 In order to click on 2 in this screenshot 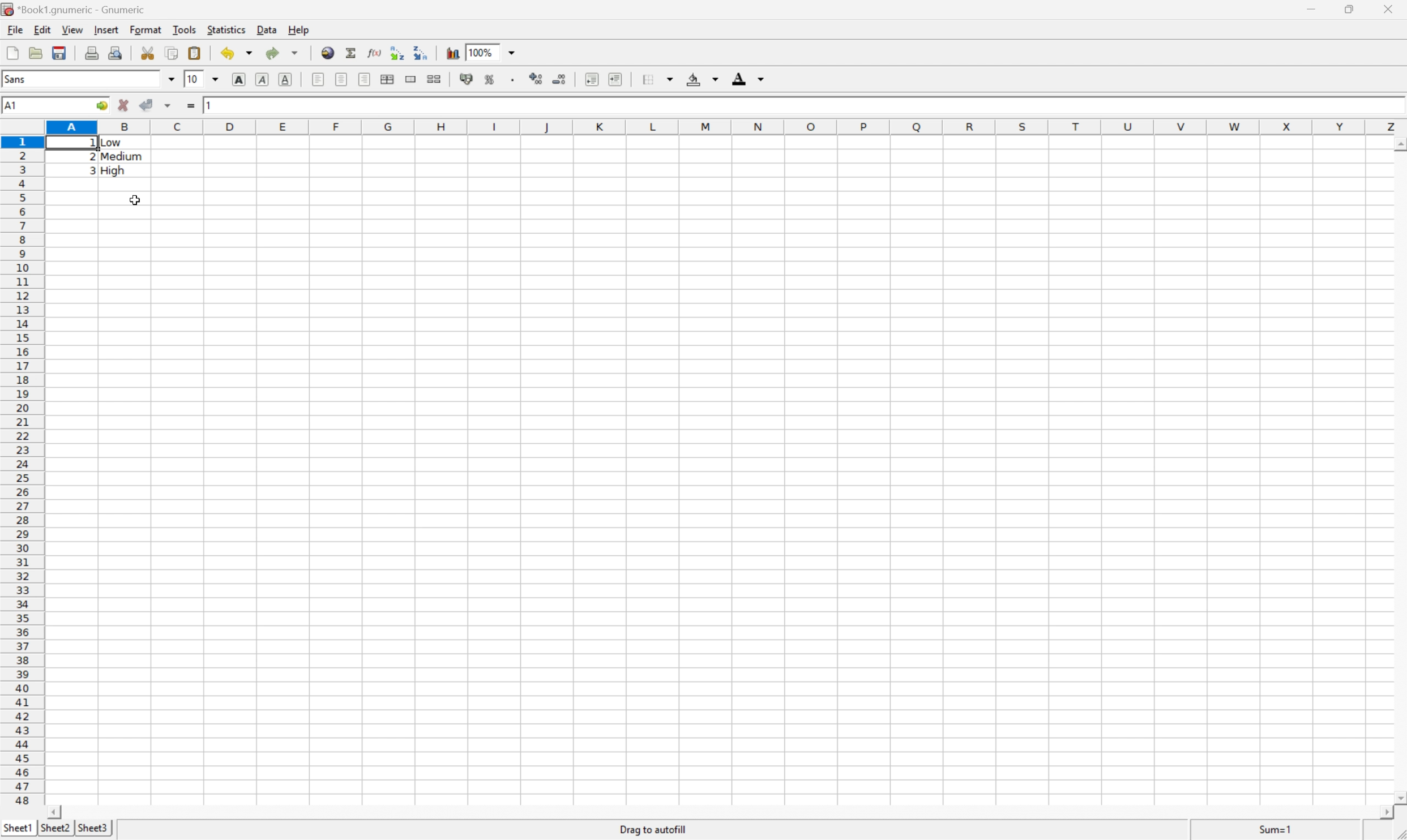, I will do `click(86, 157)`.